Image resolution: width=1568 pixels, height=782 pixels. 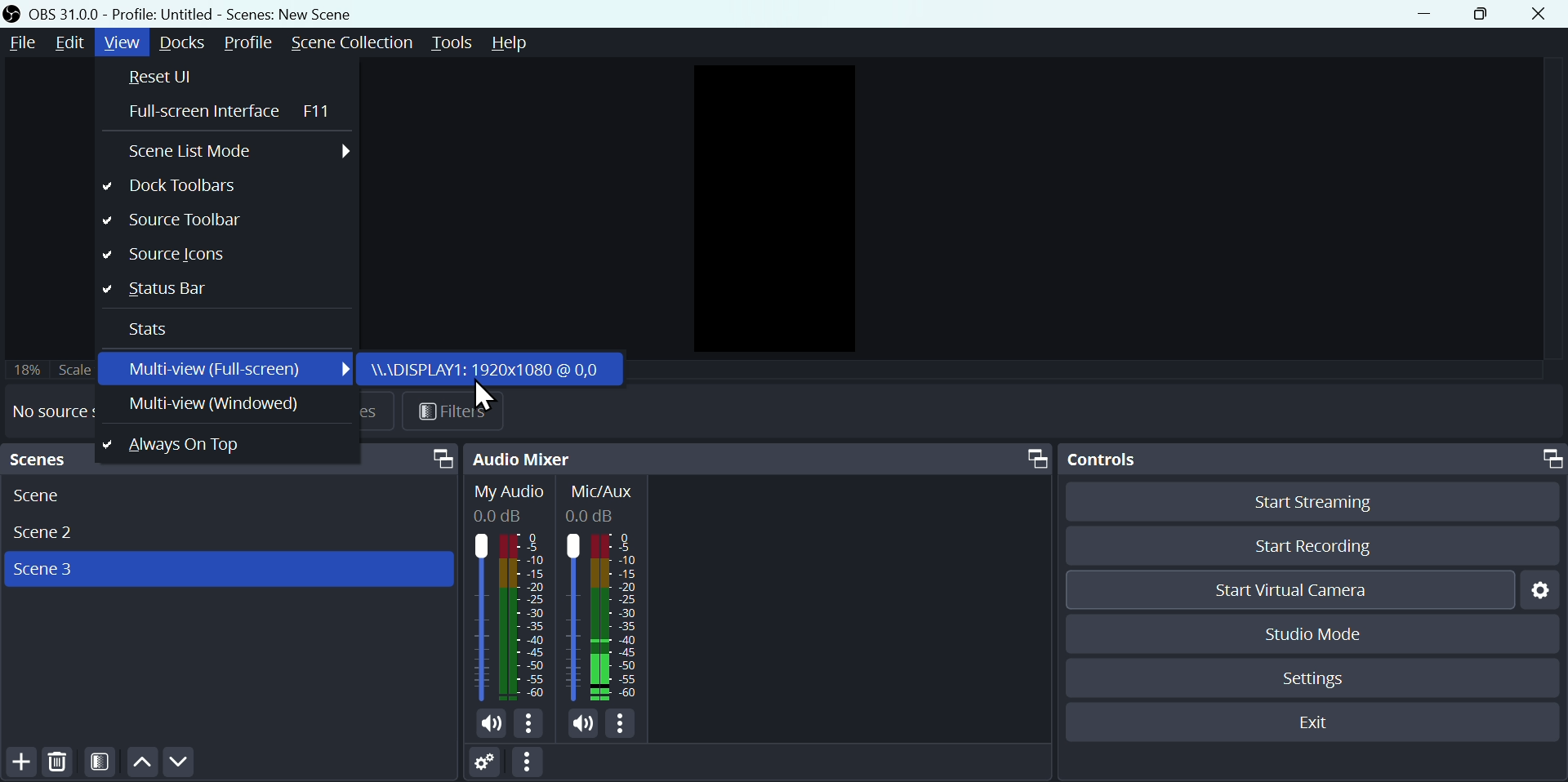 What do you see at coordinates (351, 43) in the screenshot?
I see `Scene Transition` at bounding box center [351, 43].